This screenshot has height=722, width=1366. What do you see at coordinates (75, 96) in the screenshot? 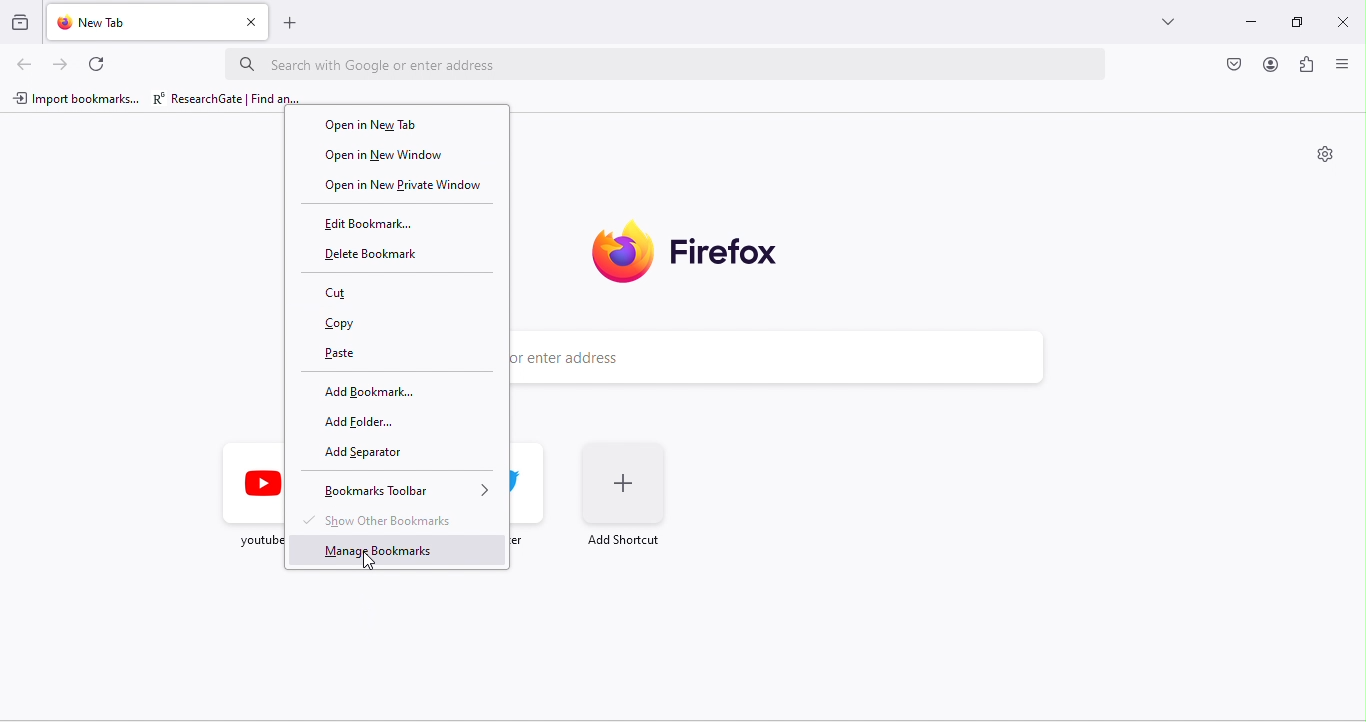
I see `import bookmarks` at bounding box center [75, 96].